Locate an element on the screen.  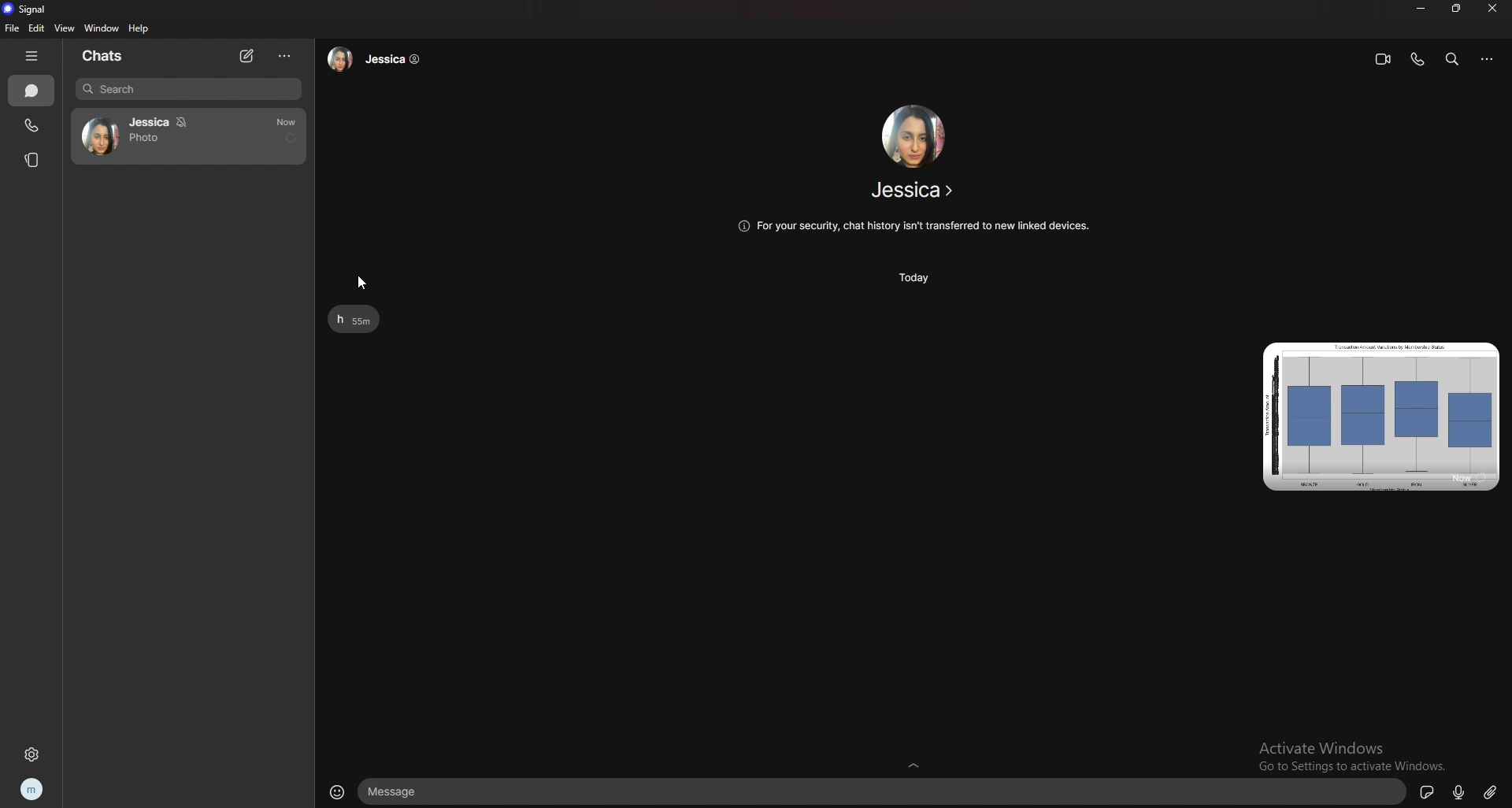
time is located at coordinates (913, 278).